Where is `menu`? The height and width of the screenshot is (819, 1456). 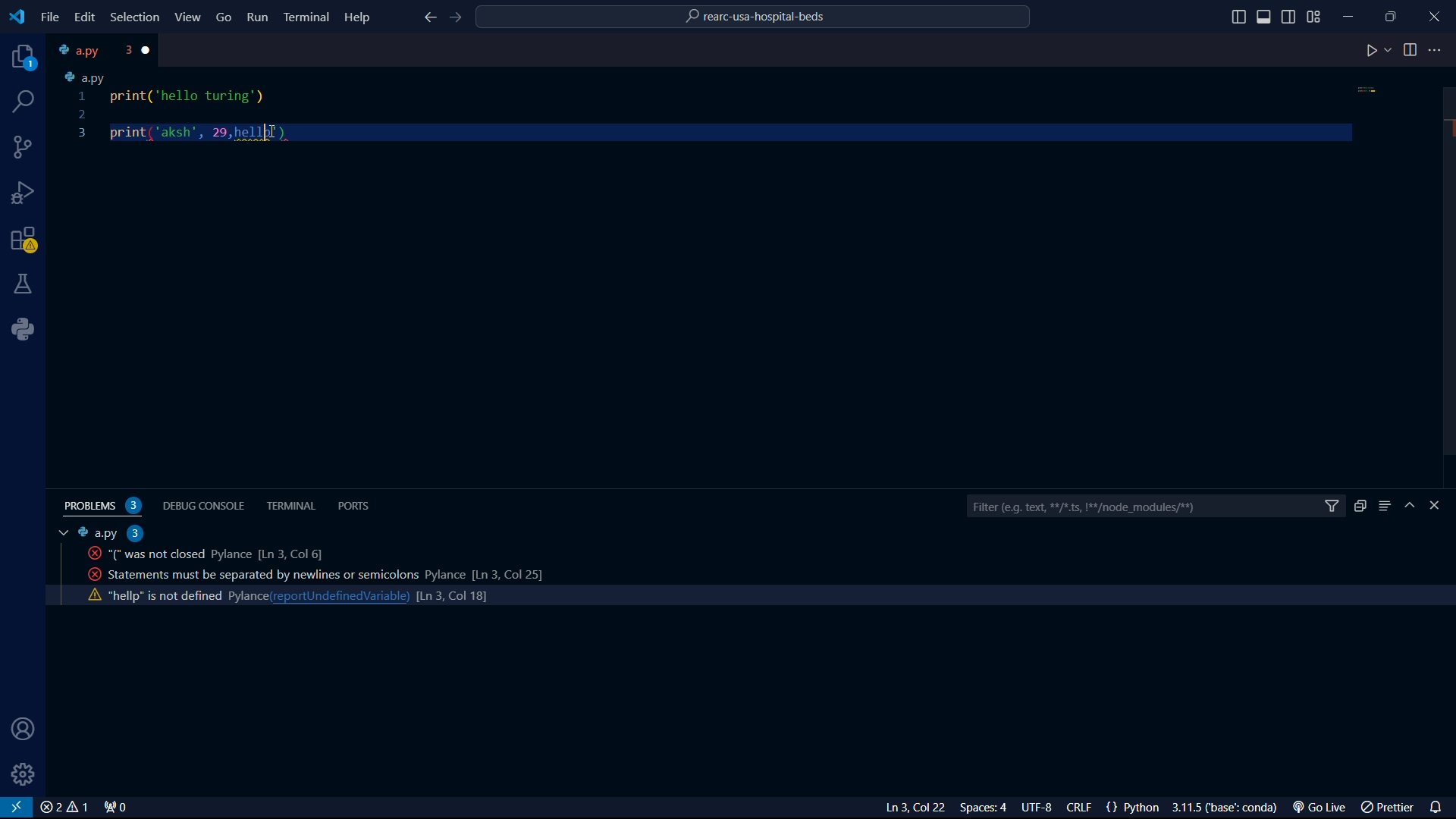 menu is located at coordinates (1385, 506).